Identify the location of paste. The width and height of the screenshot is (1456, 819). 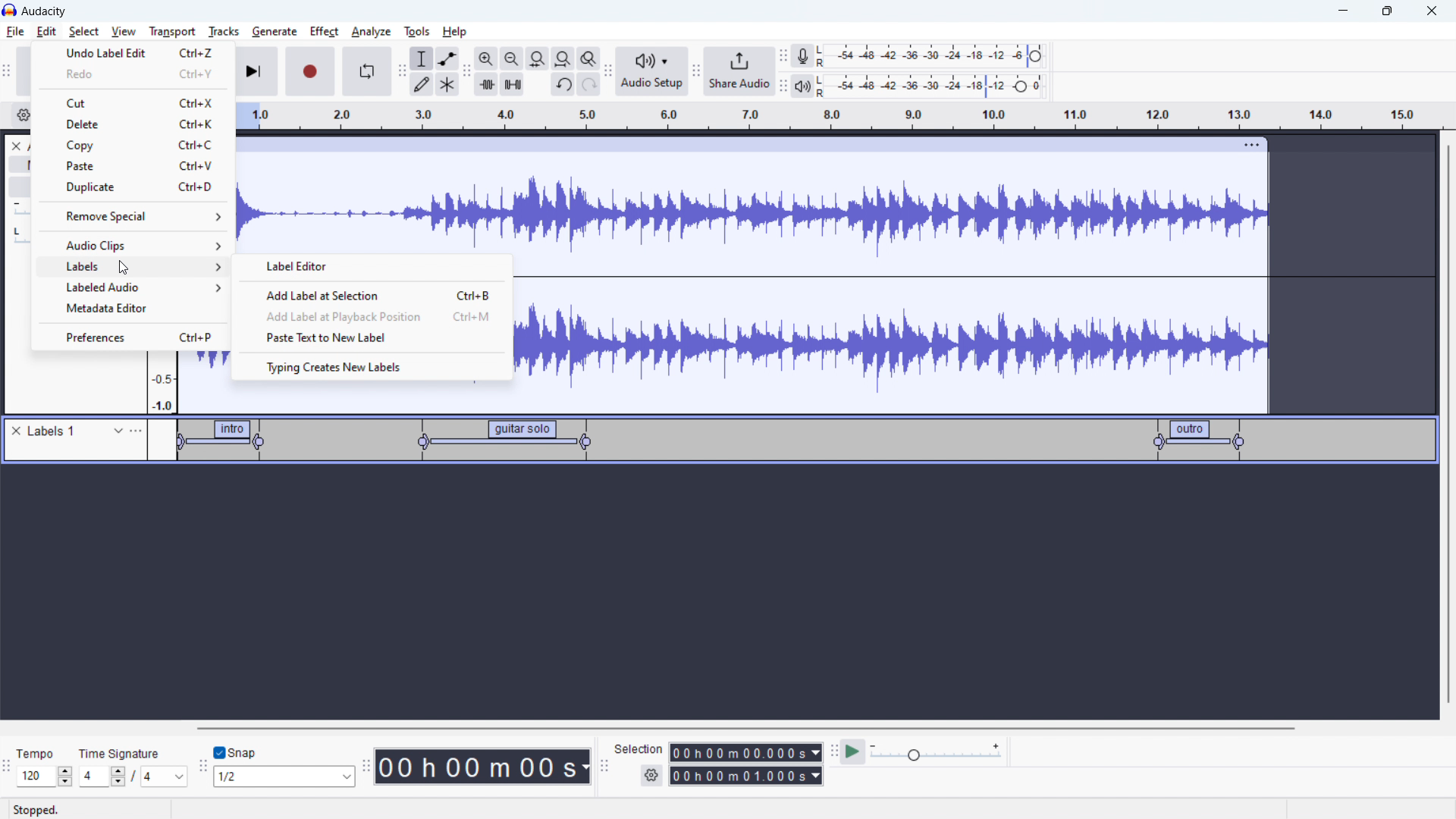
(133, 166).